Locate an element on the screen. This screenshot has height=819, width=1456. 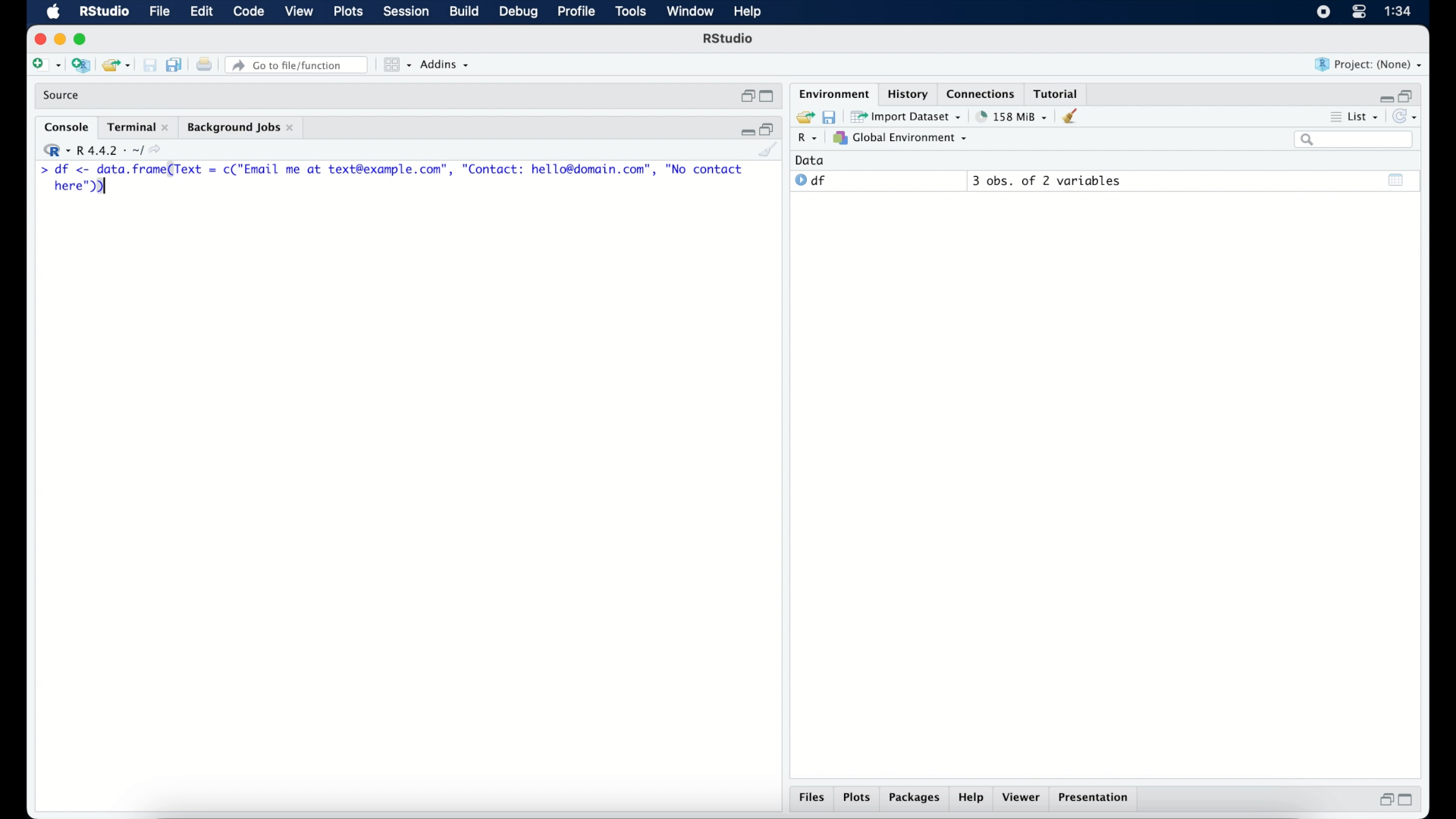
terminal is located at coordinates (137, 127).